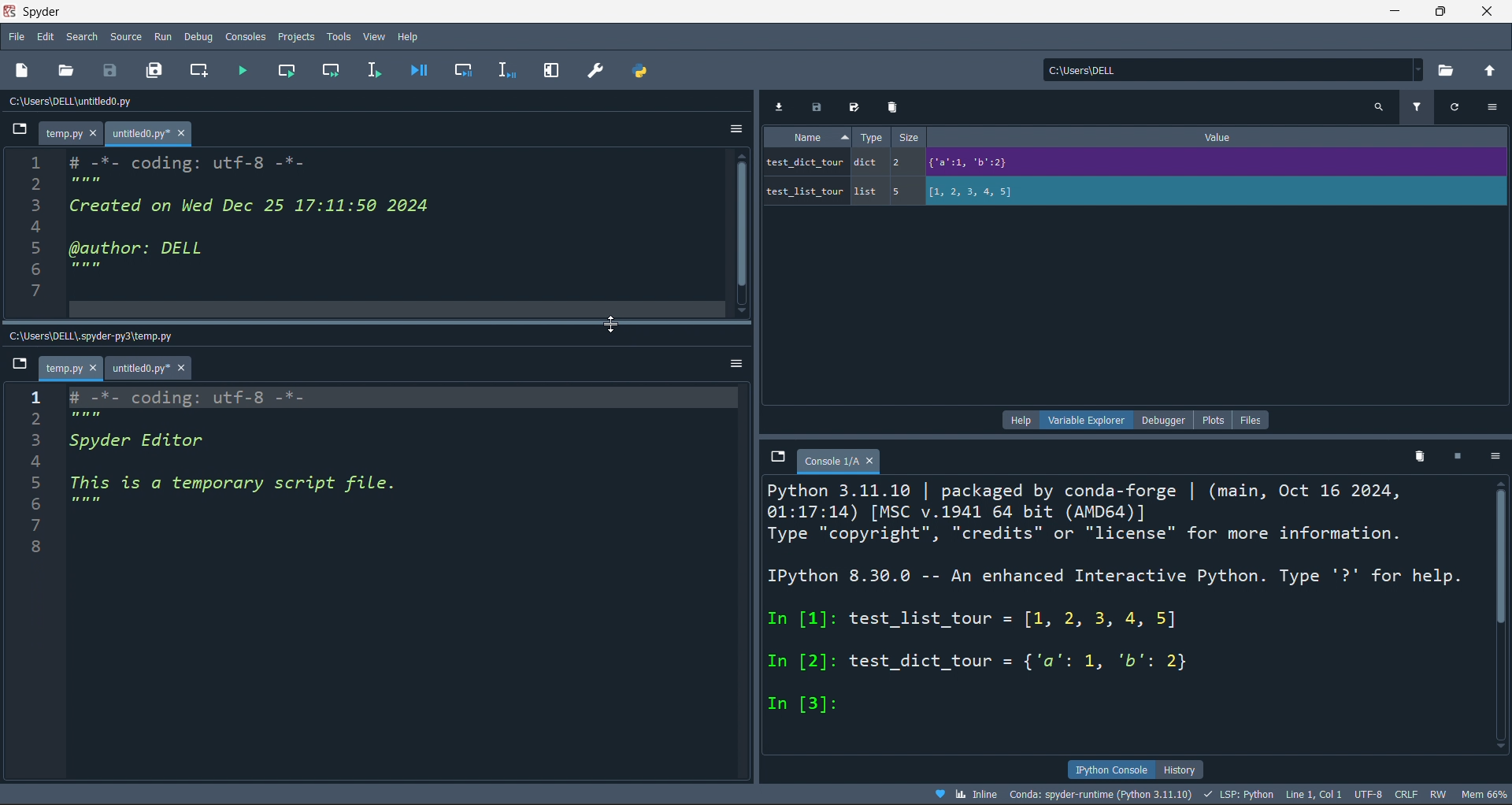 The width and height of the screenshot is (1512, 805). What do you see at coordinates (169, 160) in the screenshot?
I see `1 # -*- coding: utf-8 -*-` at bounding box center [169, 160].